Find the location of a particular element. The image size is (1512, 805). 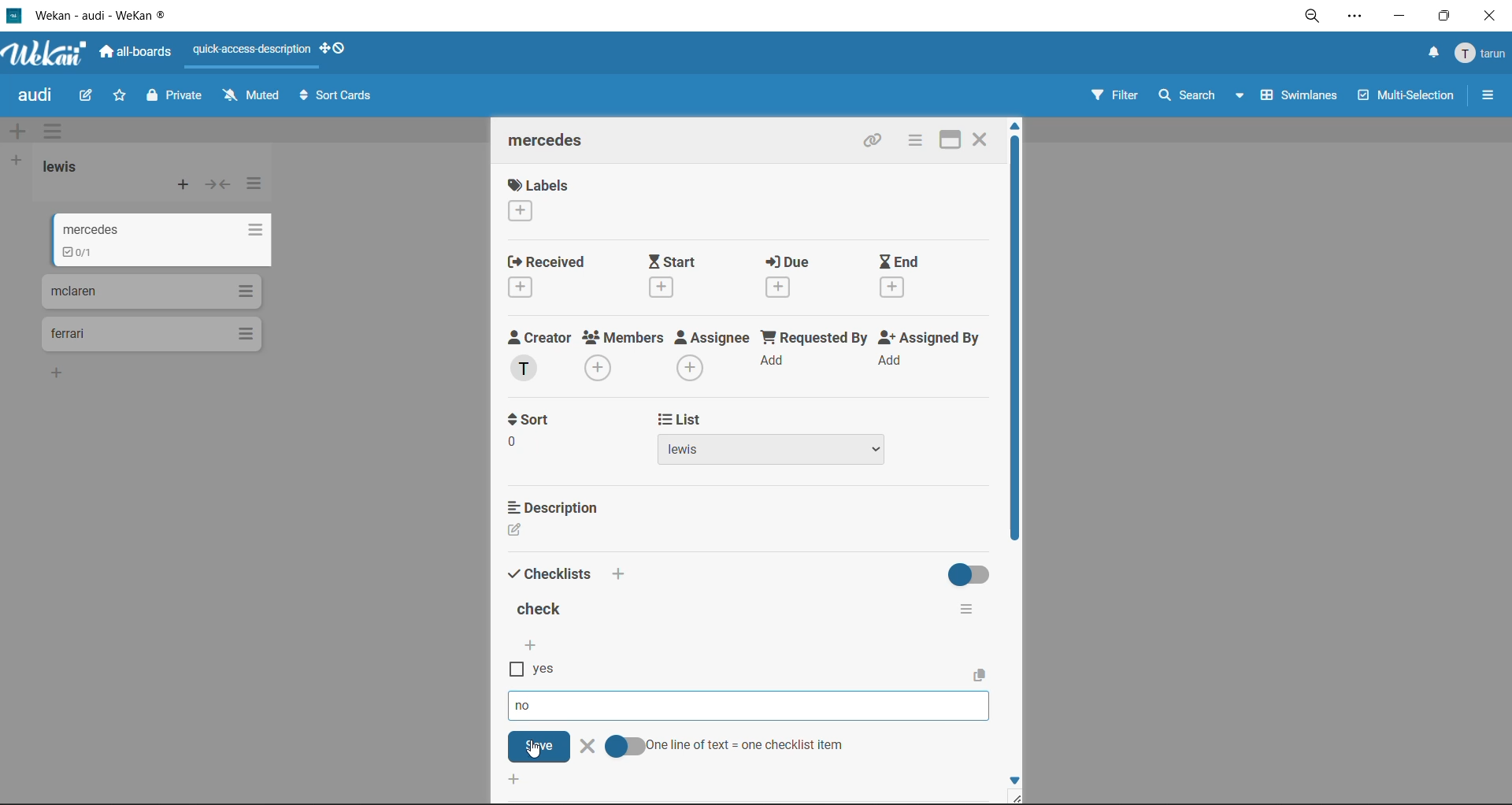

desscription is located at coordinates (557, 506).